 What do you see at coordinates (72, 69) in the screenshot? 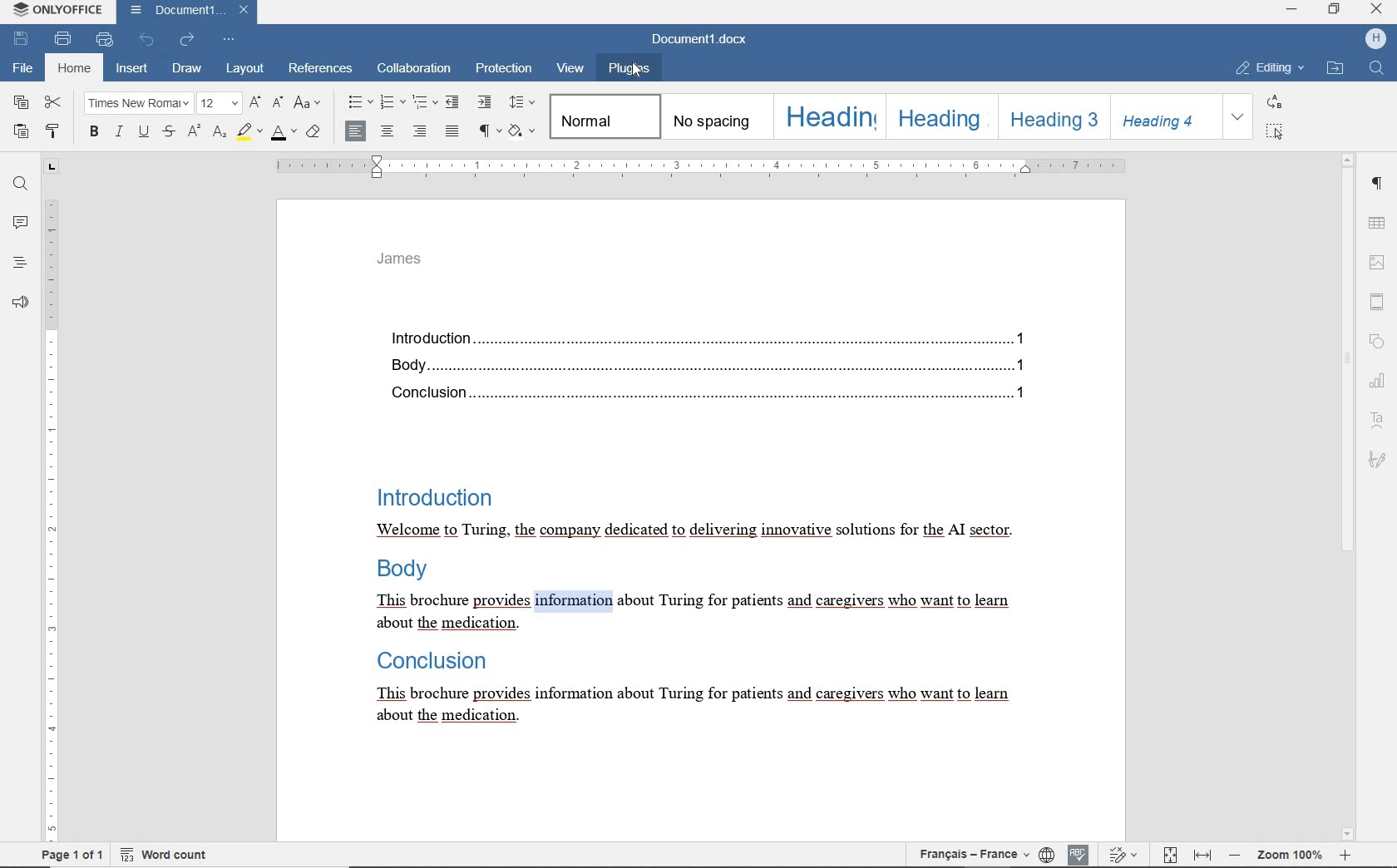
I see `HOME` at bounding box center [72, 69].